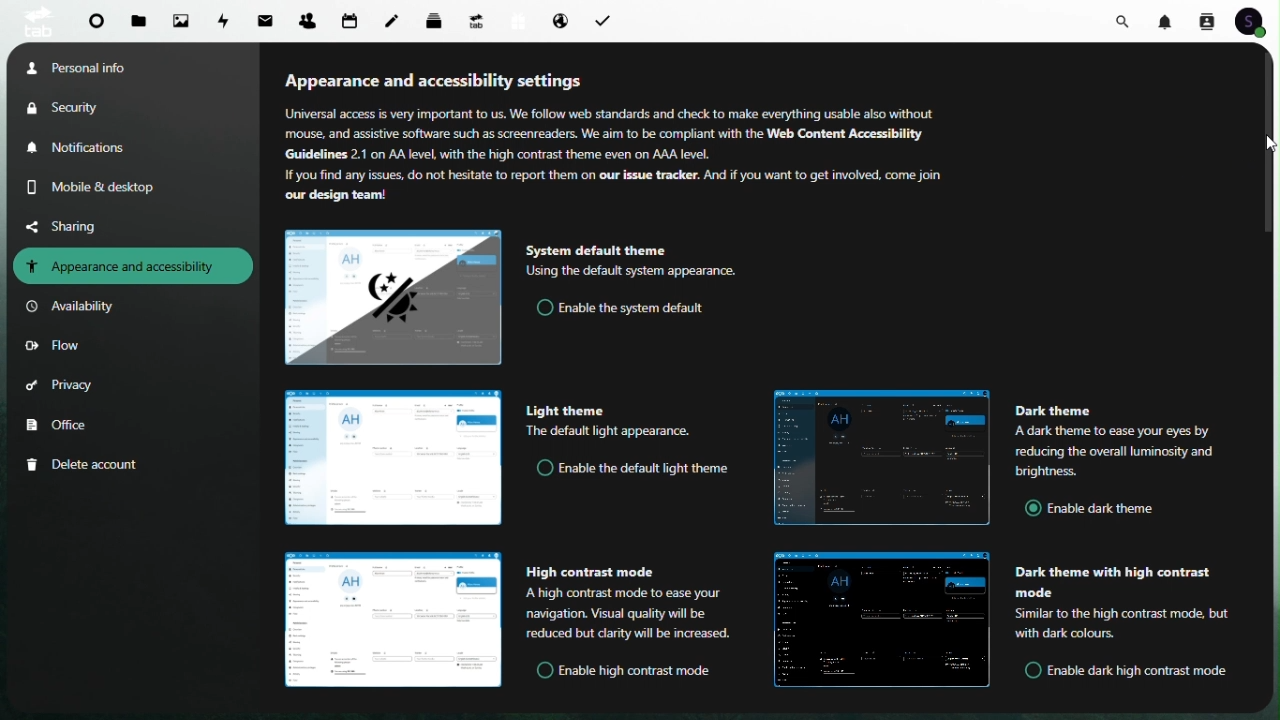 This screenshot has width=1280, height=720. Describe the element at coordinates (882, 457) in the screenshot. I see `Dark theme` at that location.